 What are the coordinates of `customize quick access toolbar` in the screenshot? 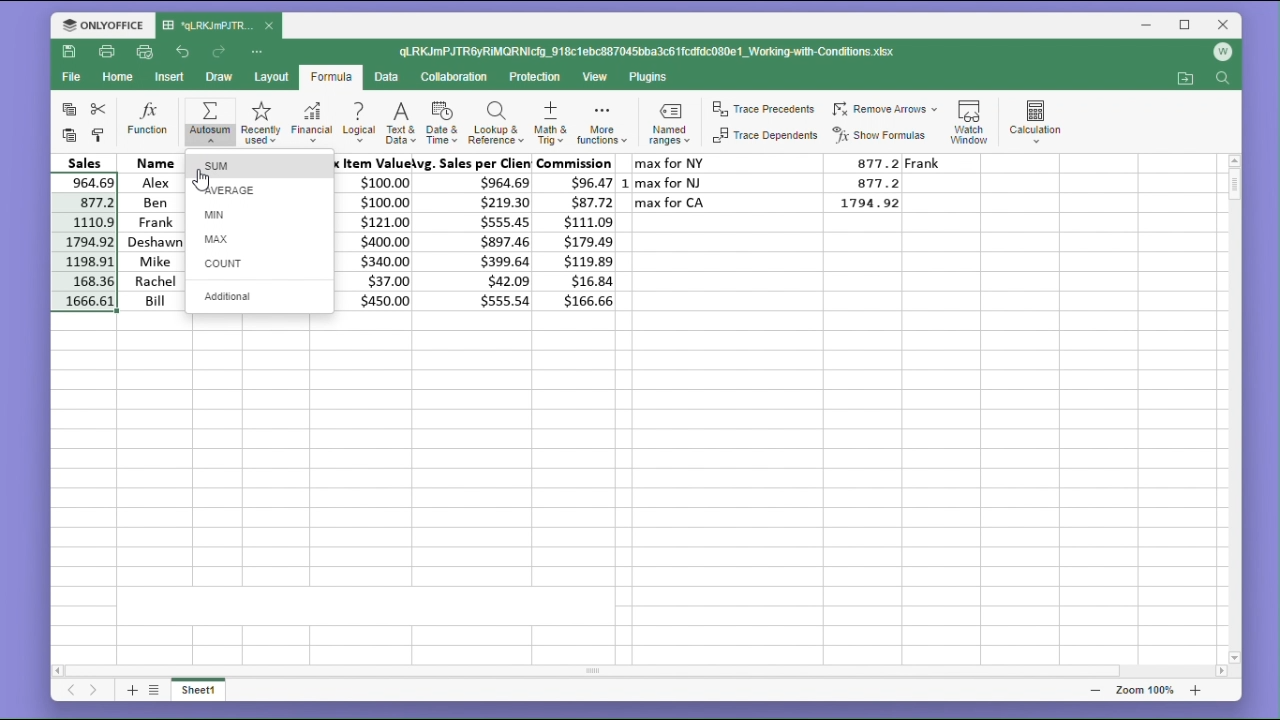 It's located at (264, 51).